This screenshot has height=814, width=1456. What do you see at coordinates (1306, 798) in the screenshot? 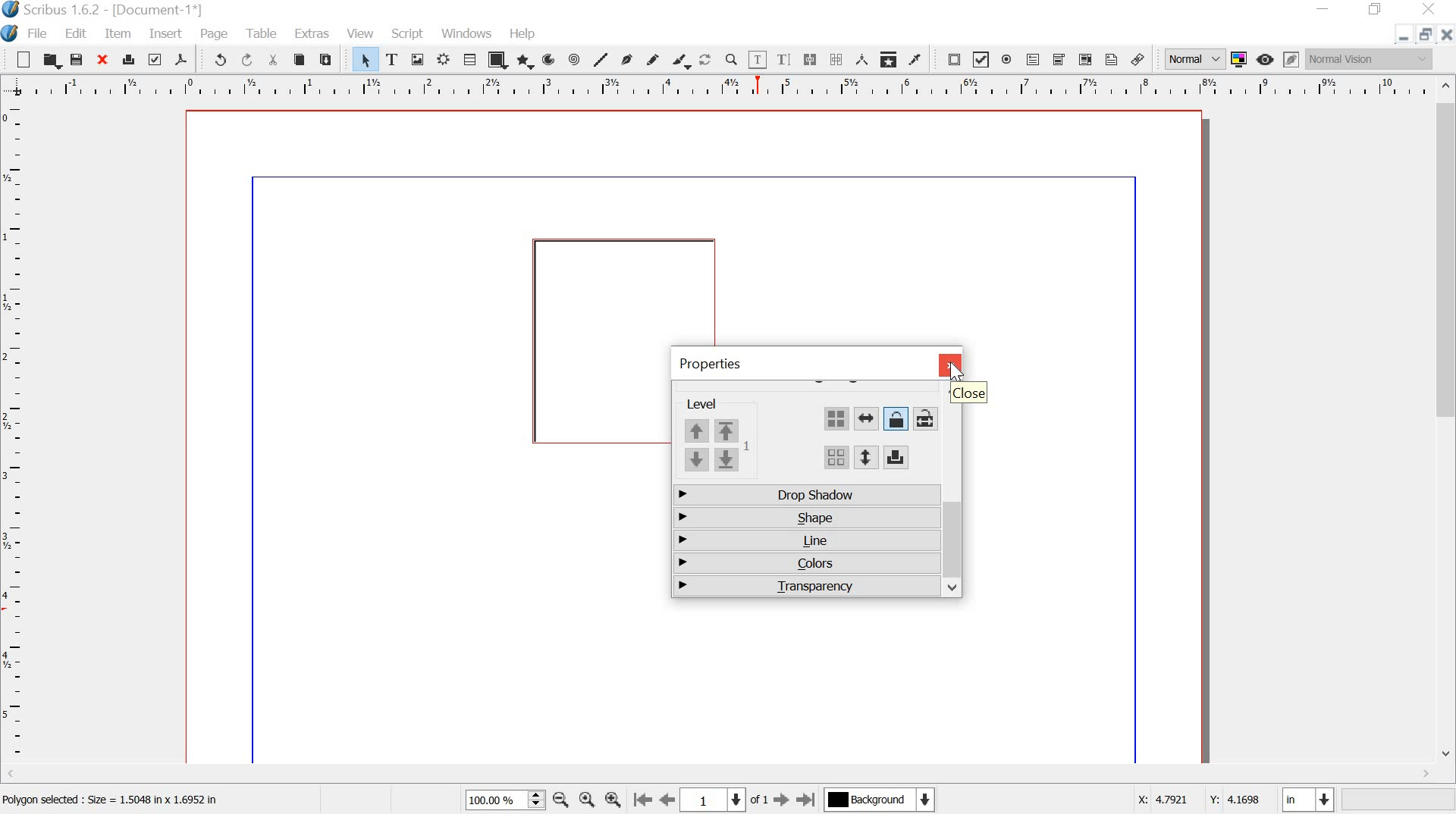
I see `in` at bounding box center [1306, 798].